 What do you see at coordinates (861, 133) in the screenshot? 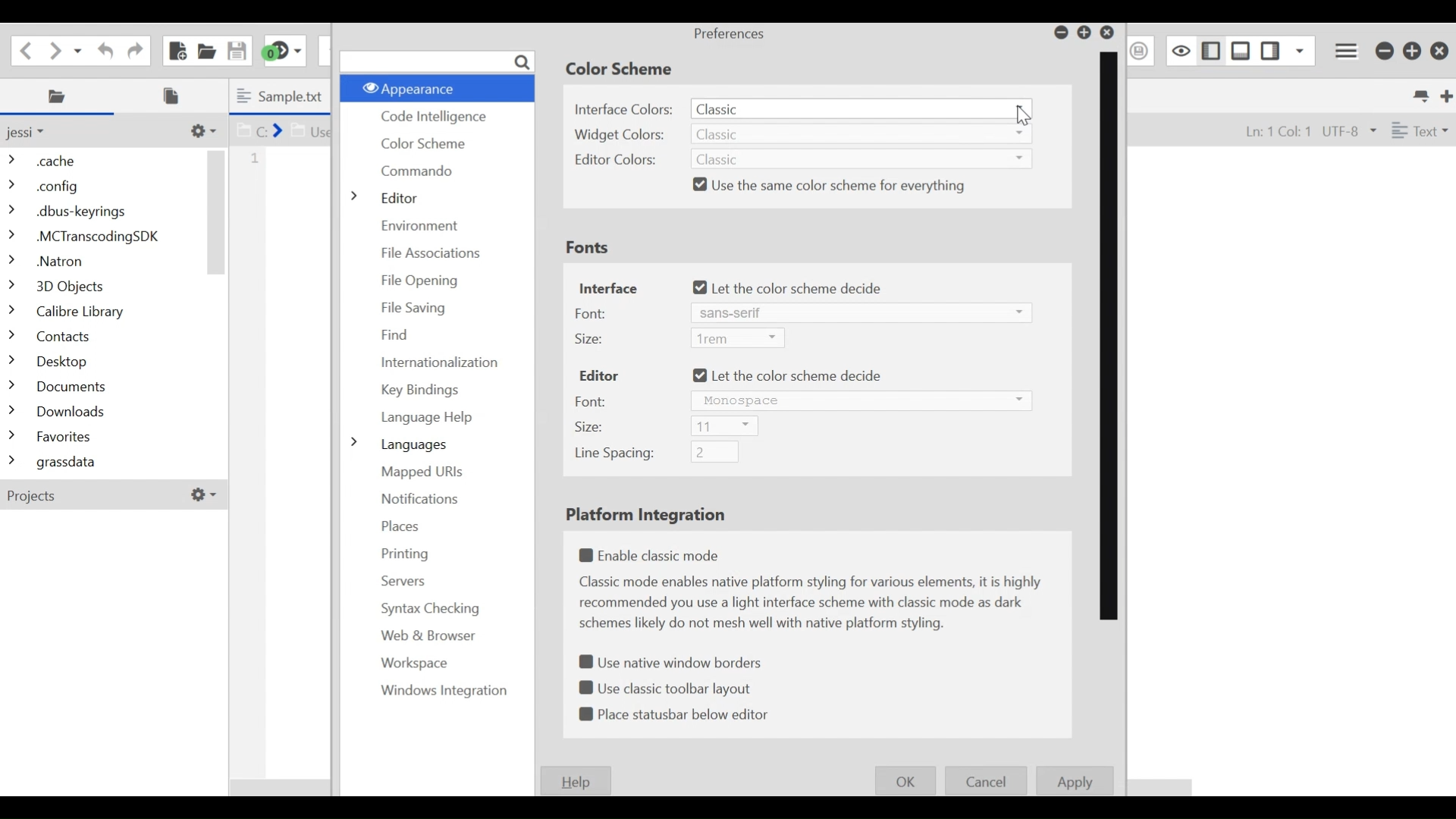
I see `Widget Color Dropdown menu` at bounding box center [861, 133].